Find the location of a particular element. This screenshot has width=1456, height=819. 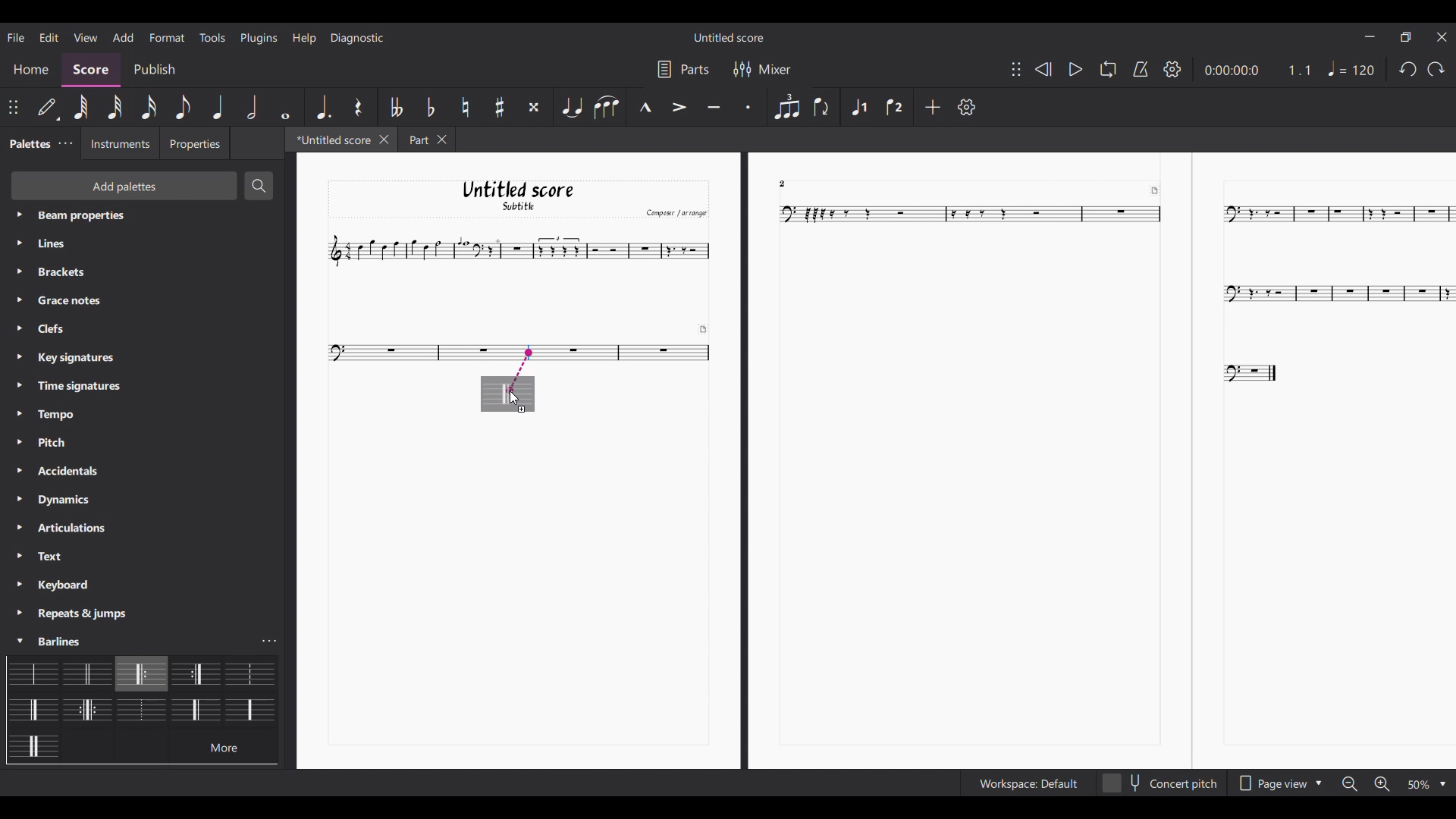

Palette settings is located at coordinates (55, 470).